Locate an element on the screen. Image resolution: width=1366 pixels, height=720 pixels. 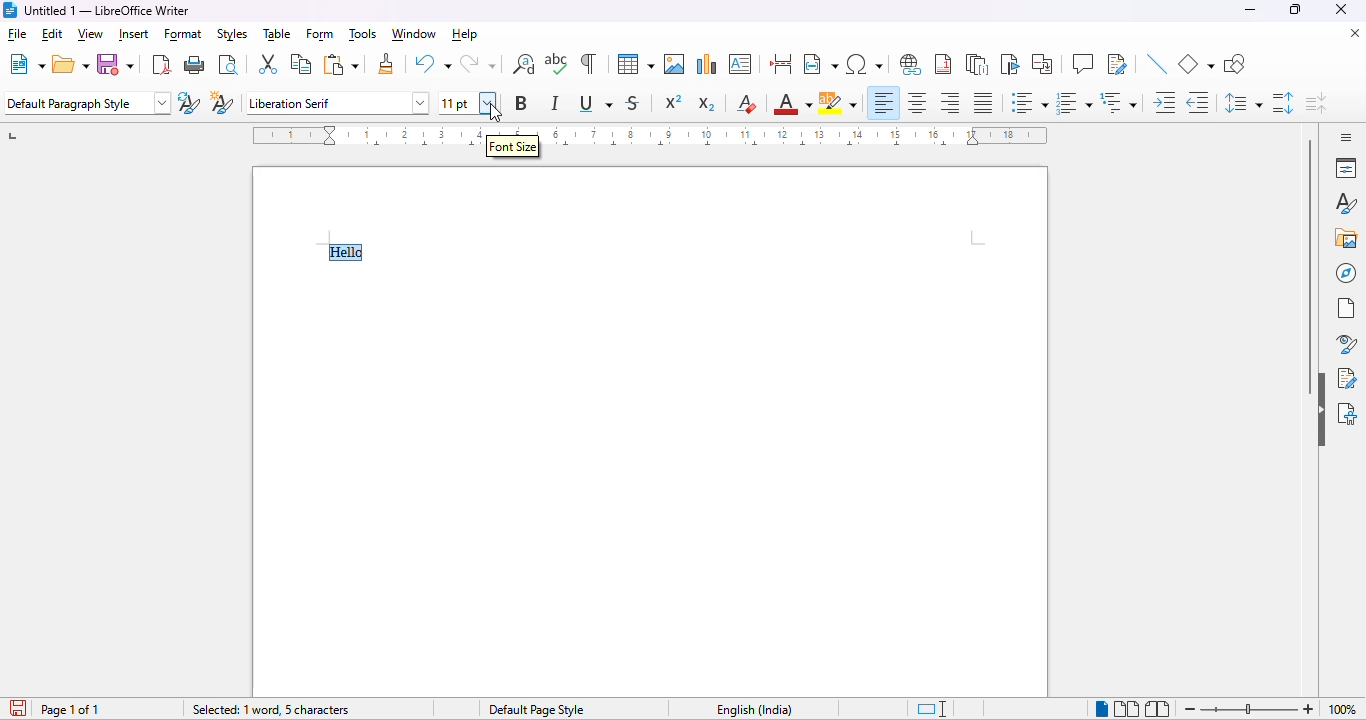
insert is located at coordinates (133, 35).